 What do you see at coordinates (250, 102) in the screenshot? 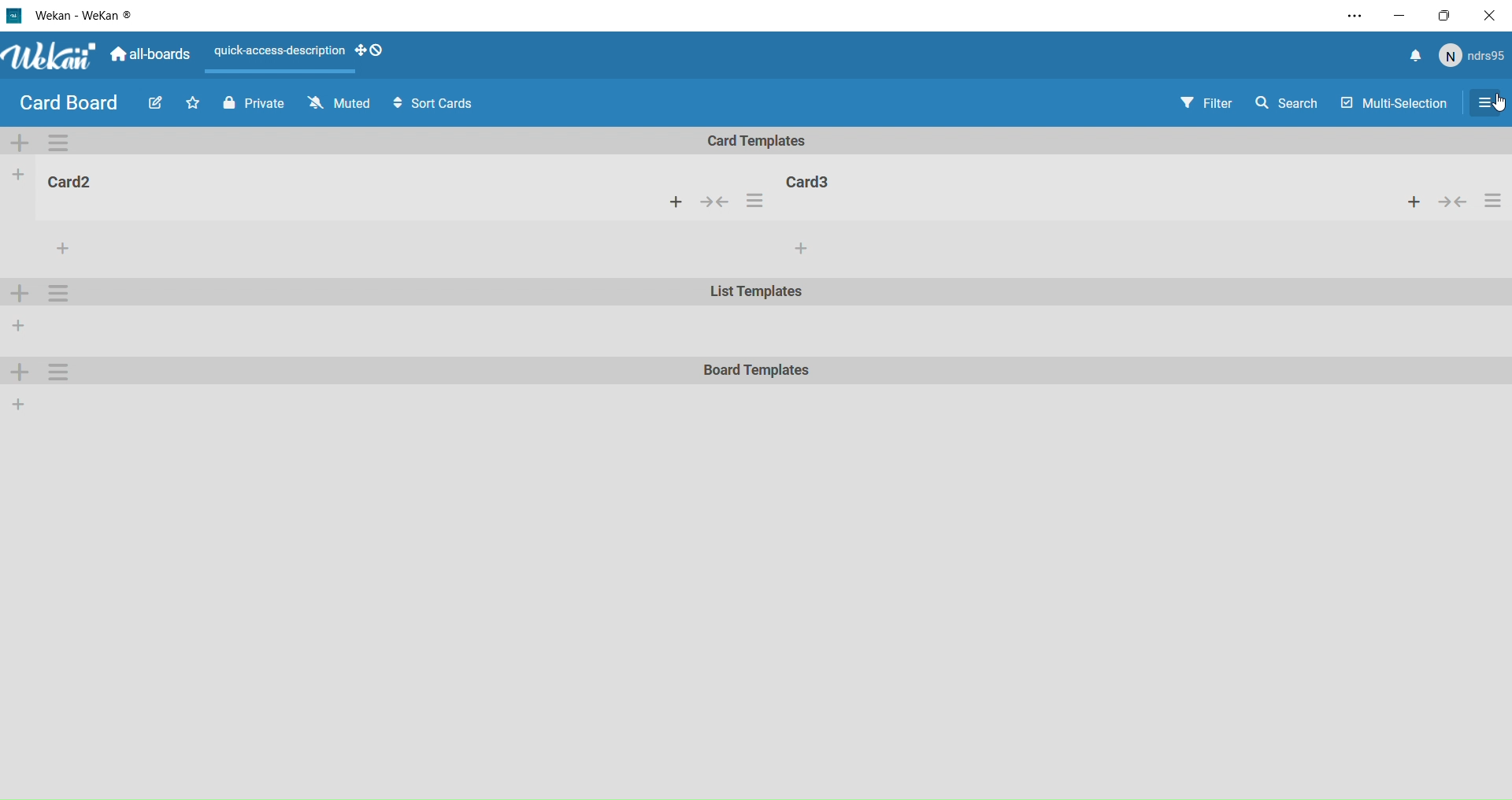
I see `Private` at bounding box center [250, 102].